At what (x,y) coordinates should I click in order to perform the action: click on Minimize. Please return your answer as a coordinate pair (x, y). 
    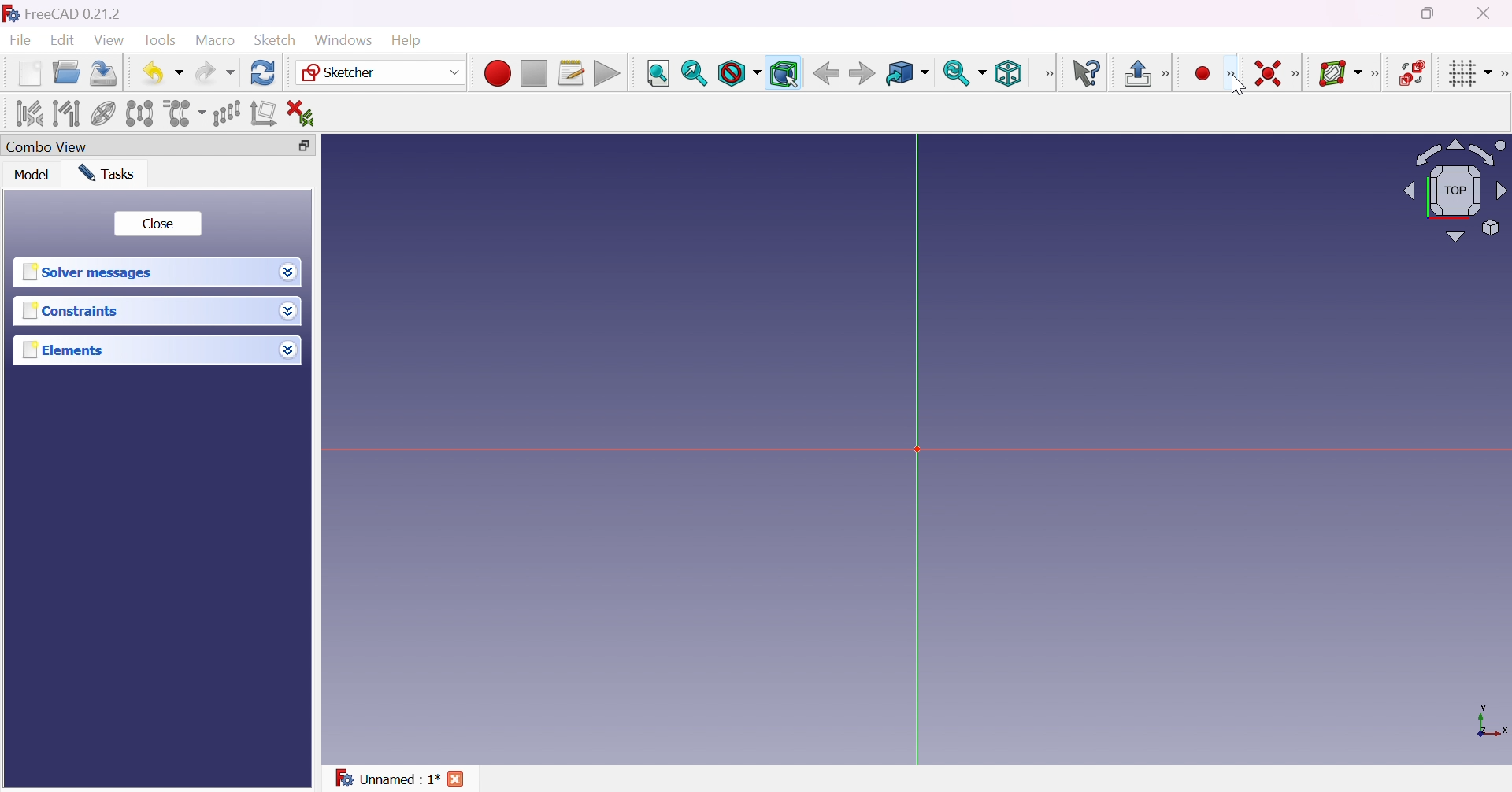
    Looking at the image, I should click on (1376, 13).